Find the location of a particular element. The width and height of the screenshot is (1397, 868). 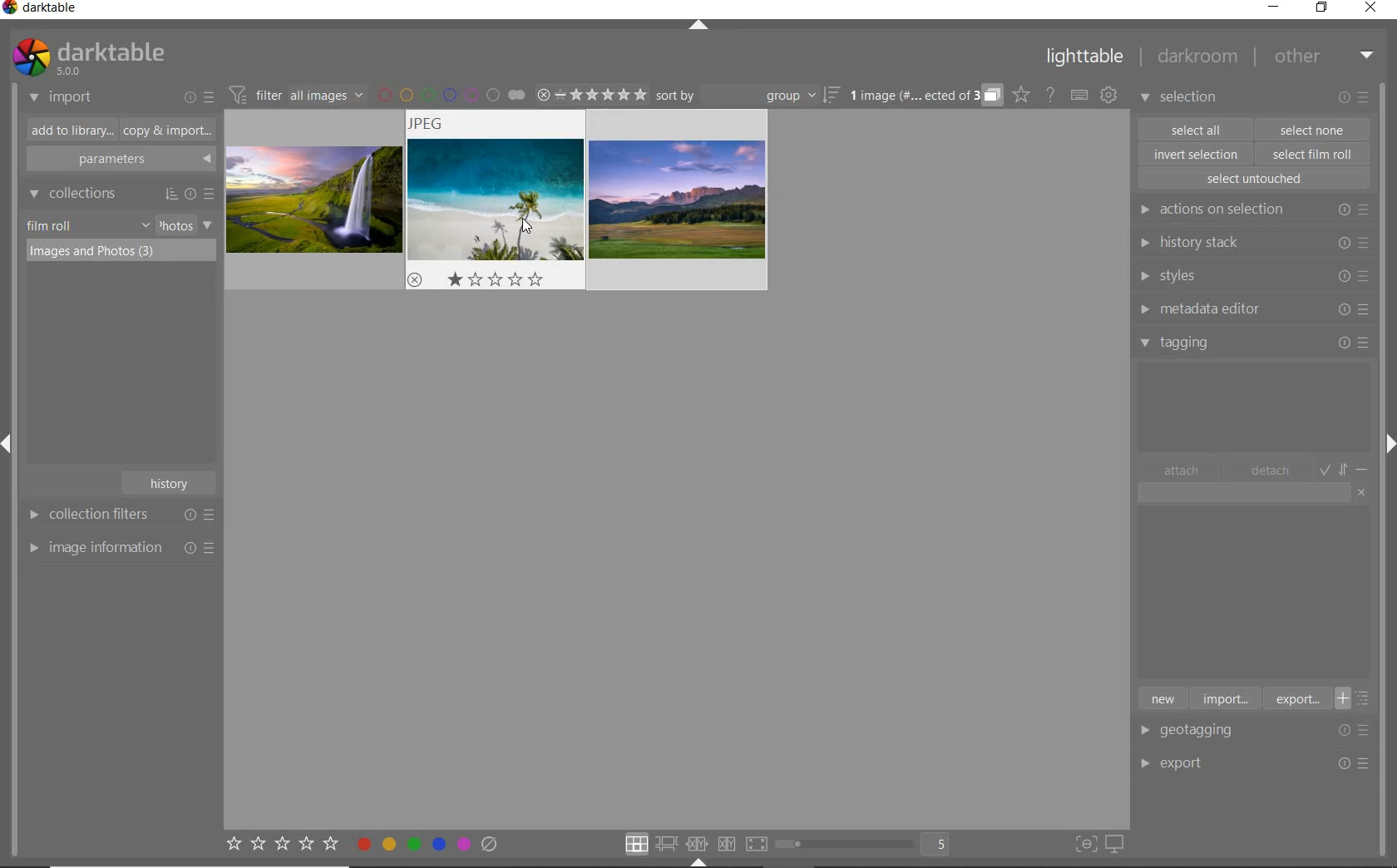

actions on selection is located at coordinates (1251, 210).